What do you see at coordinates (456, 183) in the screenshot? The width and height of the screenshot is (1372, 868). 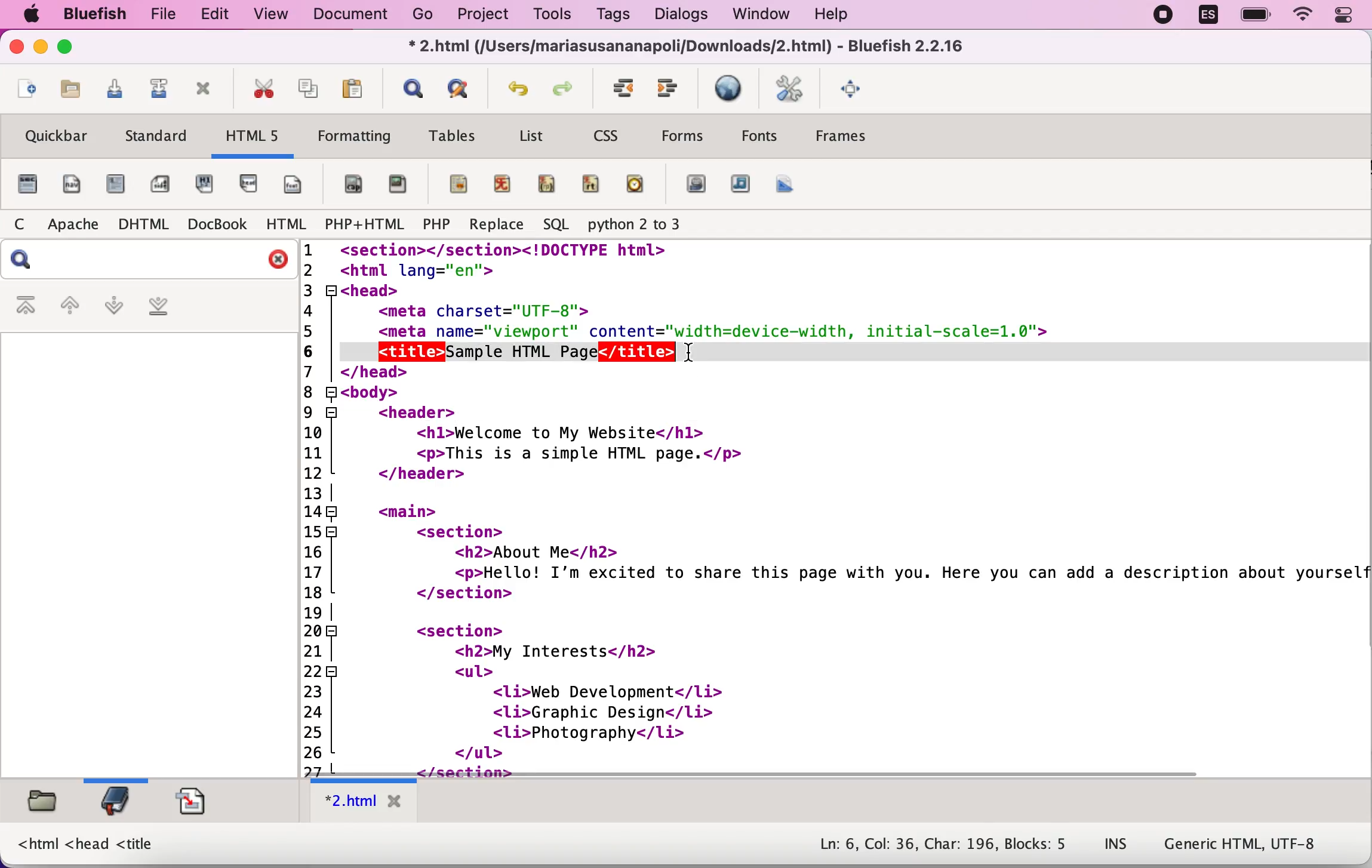 I see `mark` at bounding box center [456, 183].